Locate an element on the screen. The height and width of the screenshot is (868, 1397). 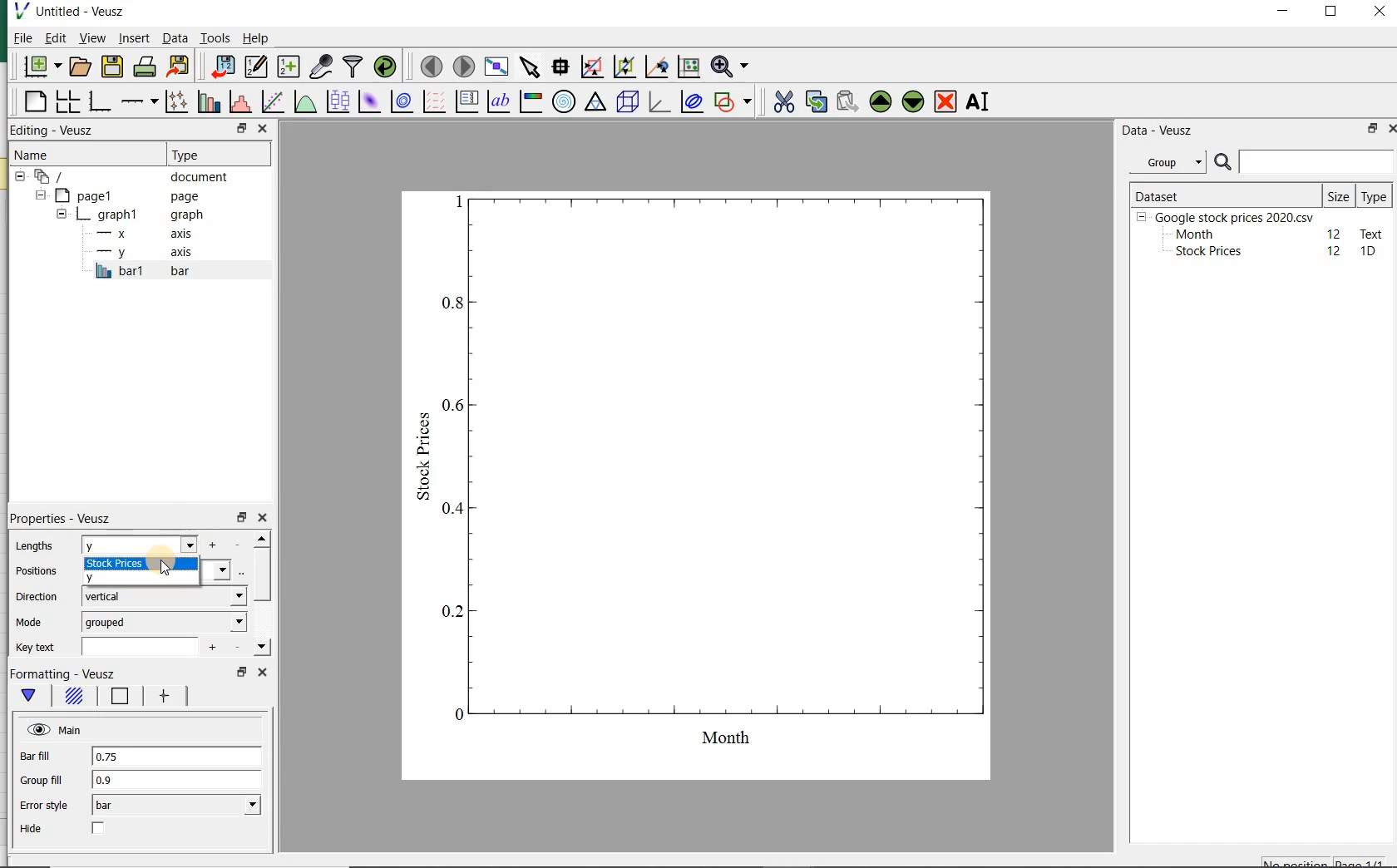
scrollbar is located at coordinates (261, 595).